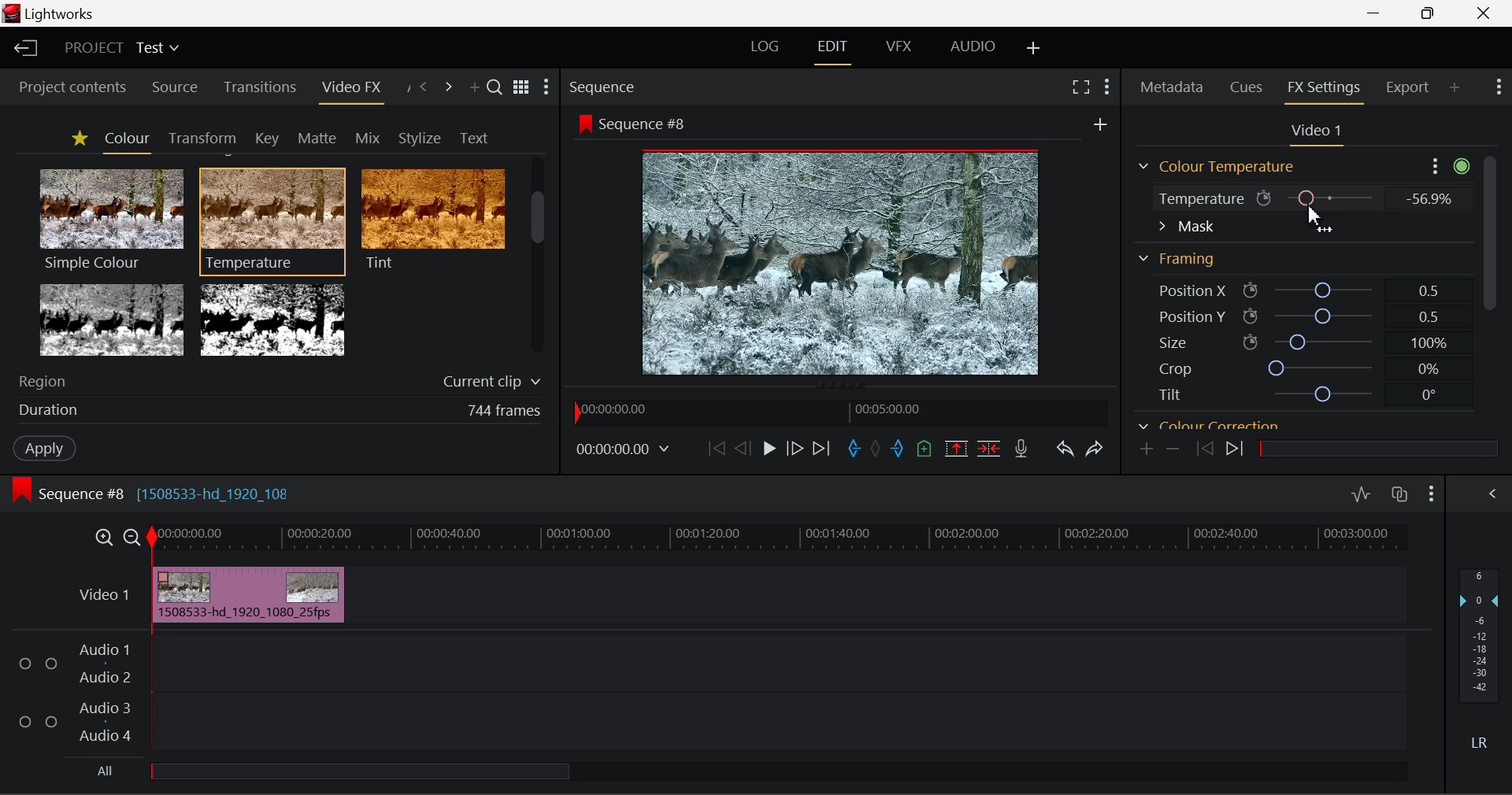  Describe the element at coordinates (539, 259) in the screenshot. I see `Scroll Bar` at that location.